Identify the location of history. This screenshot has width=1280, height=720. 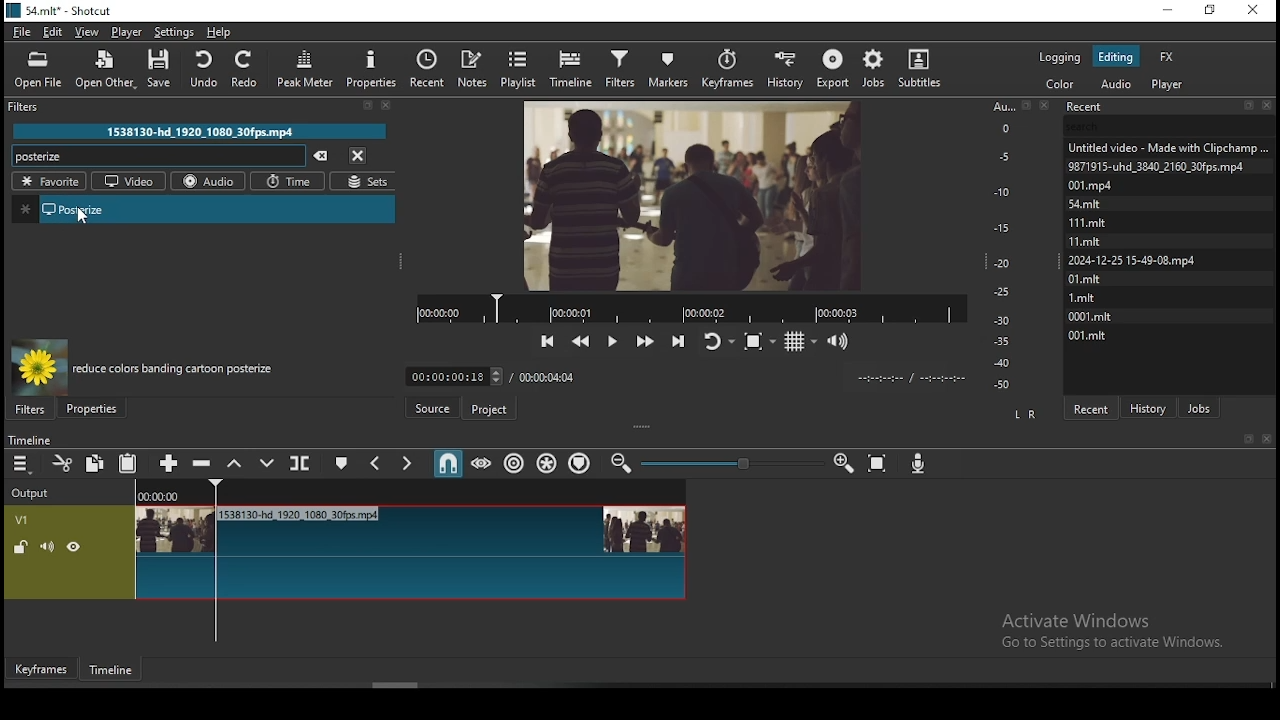
(786, 69).